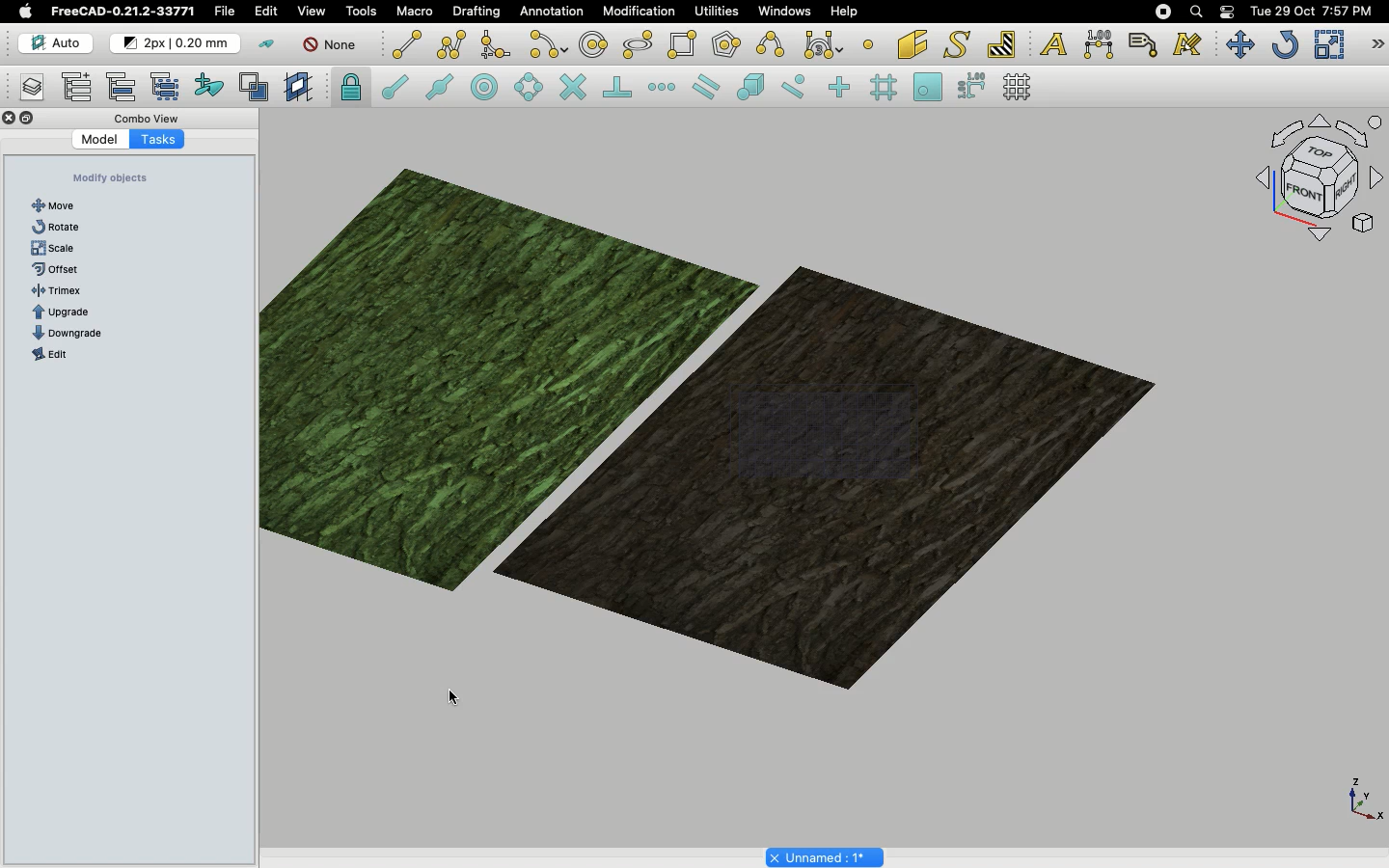 This screenshot has width=1389, height=868. I want to click on Snap intersection, so click(574, 89).